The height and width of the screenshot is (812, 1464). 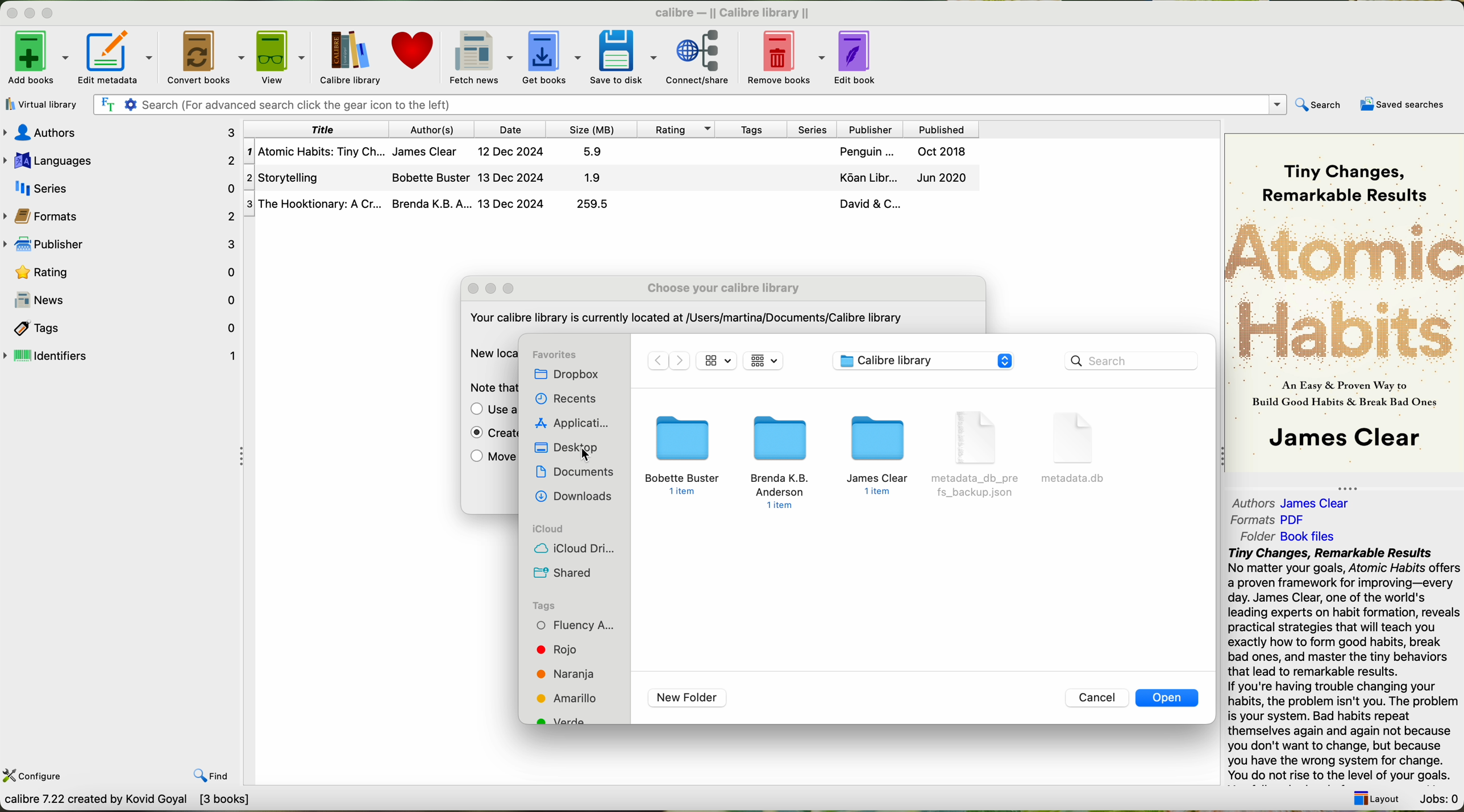 I want to click on icon, so click(x=763, y=360).